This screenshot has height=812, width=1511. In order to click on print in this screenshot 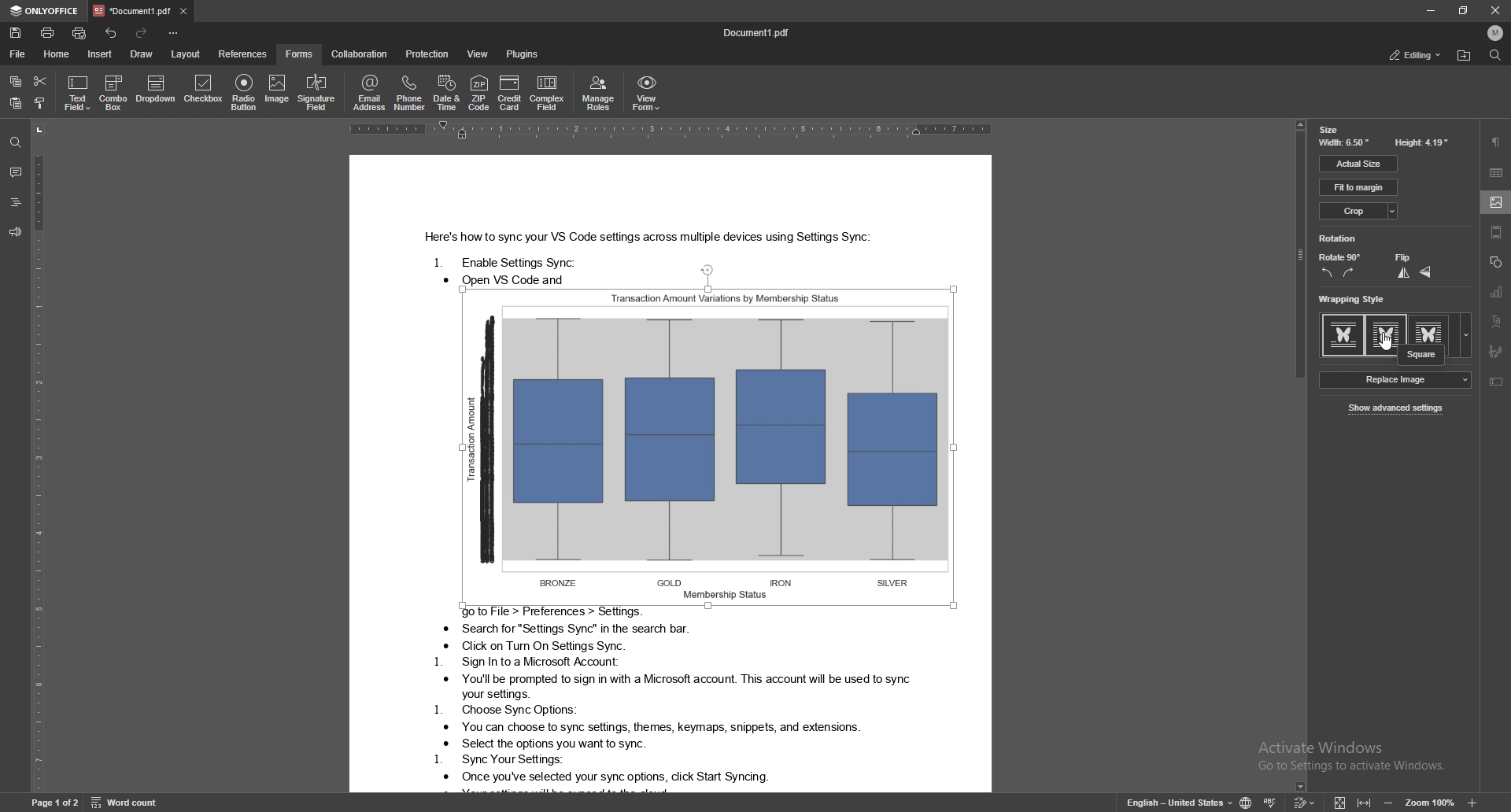, I will do `click(47, 31)`.